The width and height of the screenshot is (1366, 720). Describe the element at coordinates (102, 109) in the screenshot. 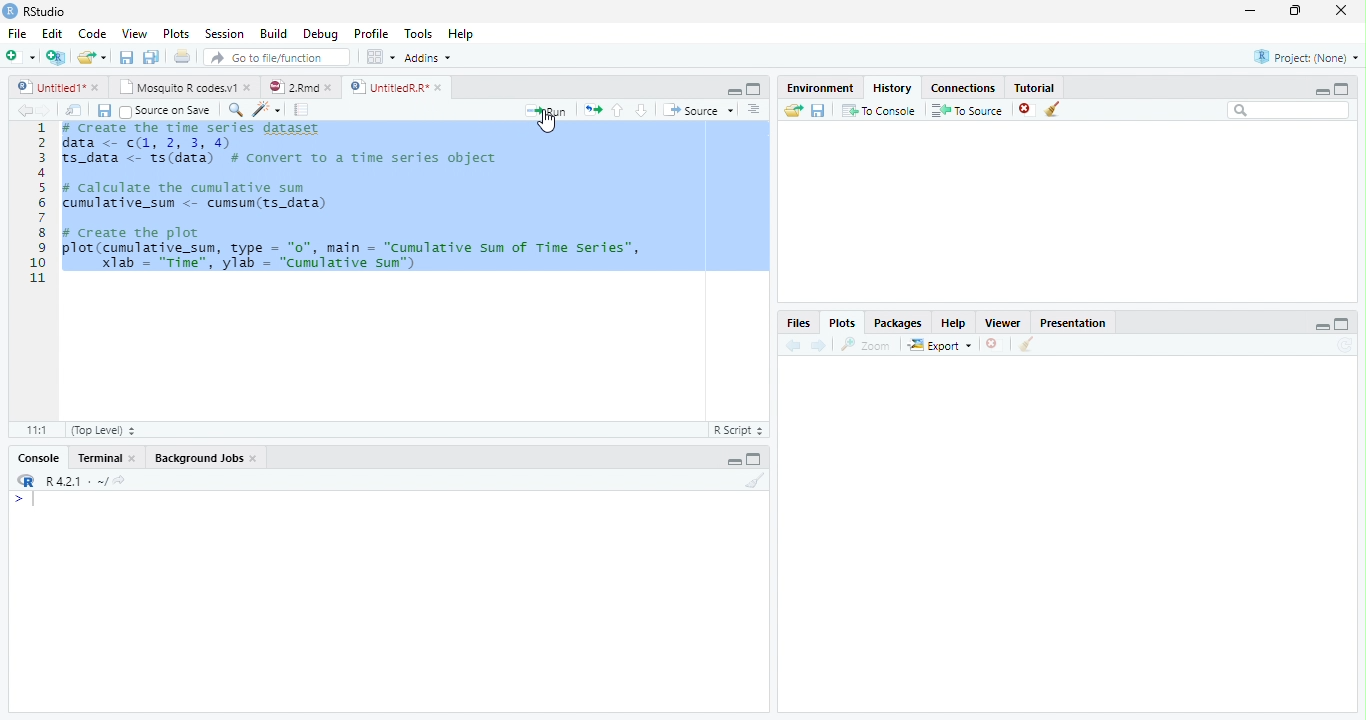

I see `Save` at that location.